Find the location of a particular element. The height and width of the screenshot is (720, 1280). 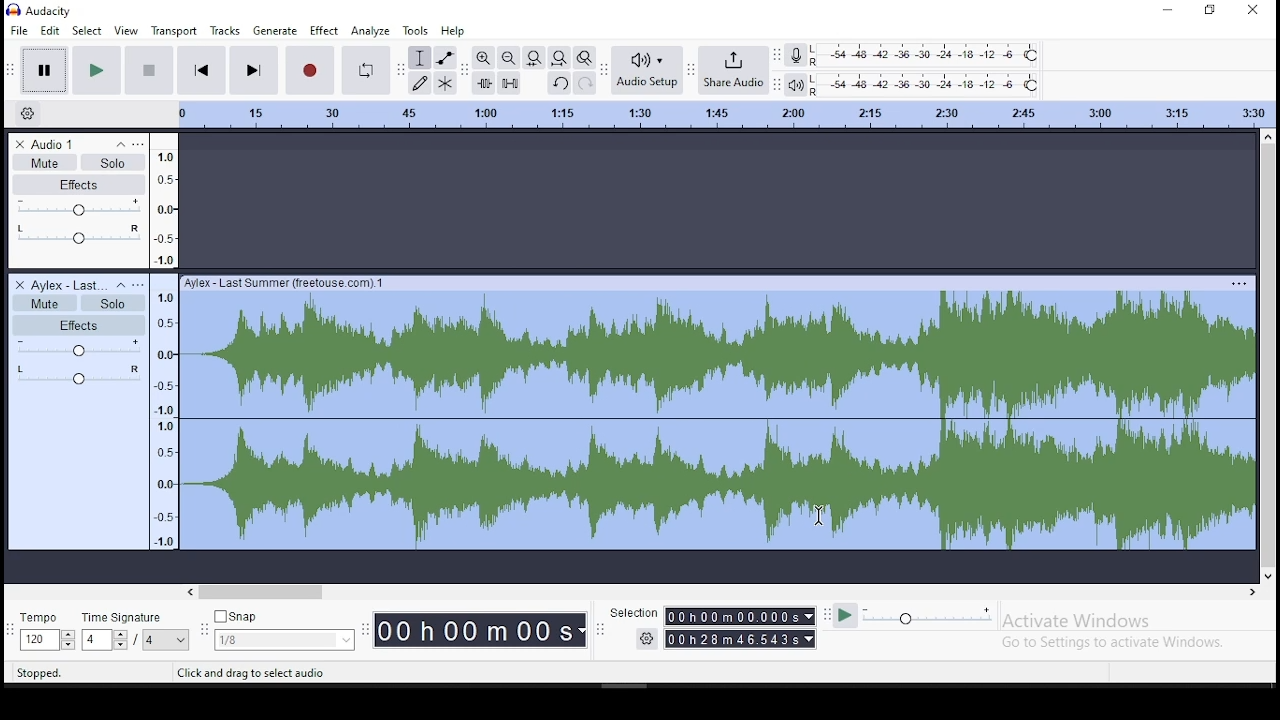

playback level is located at coordinates (927, 84).